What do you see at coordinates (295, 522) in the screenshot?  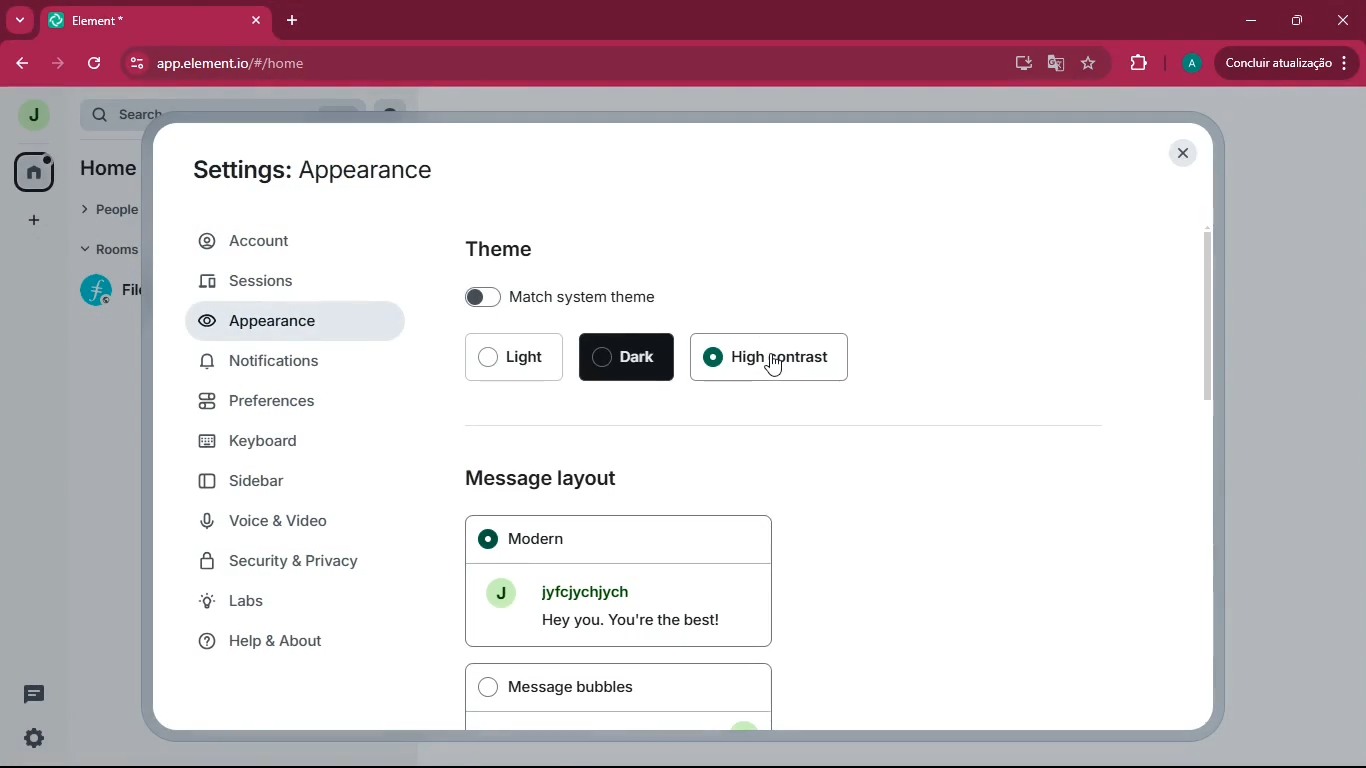 I see `voice` at bounding box center [295, 522].